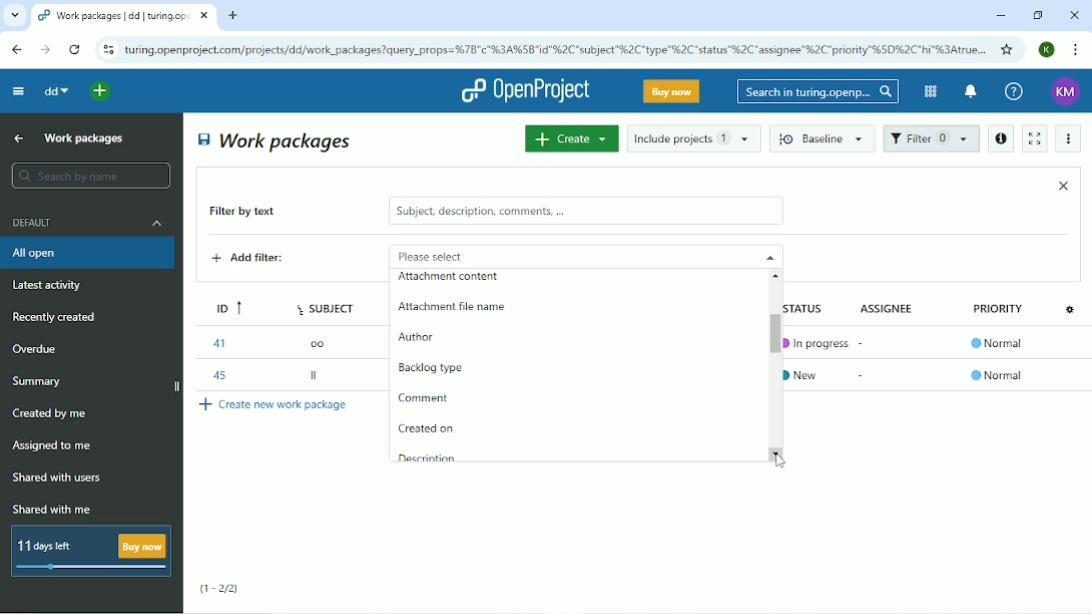  Describe the element at coordinates (427, 428) in the screenshot. I see `Created on` at that location.